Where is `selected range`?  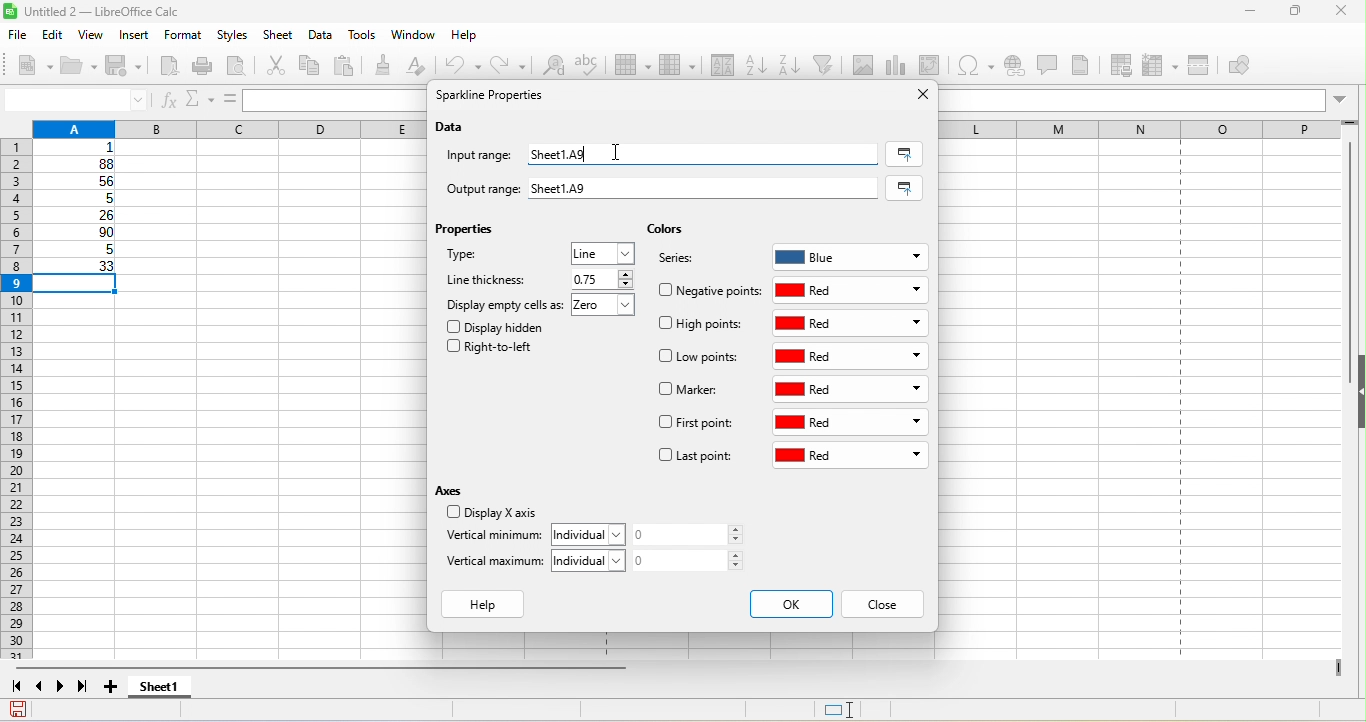
selected range is located at coordinates (908, 188).